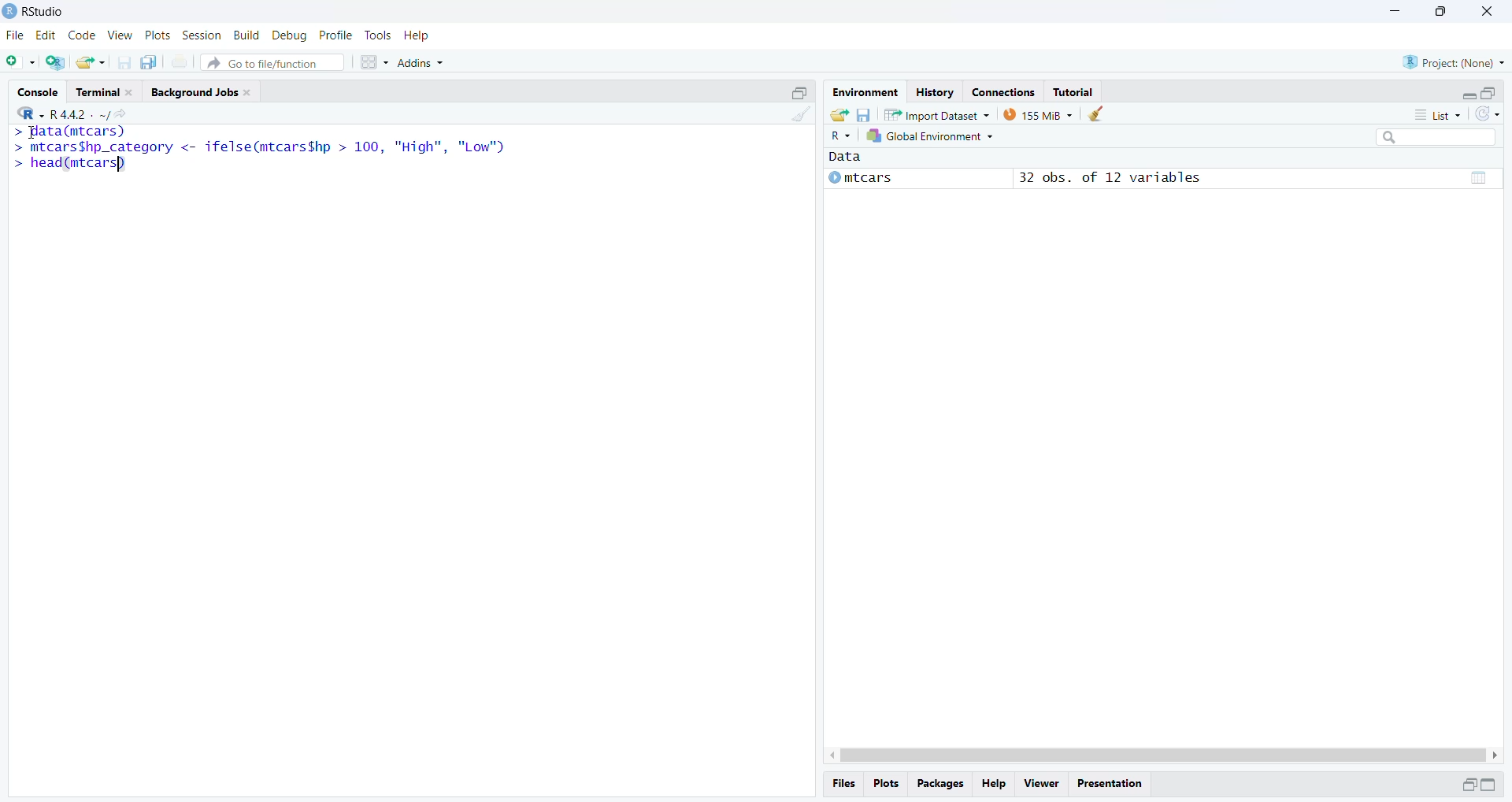 This screenshot has height=802, width=1512. I want to click on Maximize, so click(1489, 91).